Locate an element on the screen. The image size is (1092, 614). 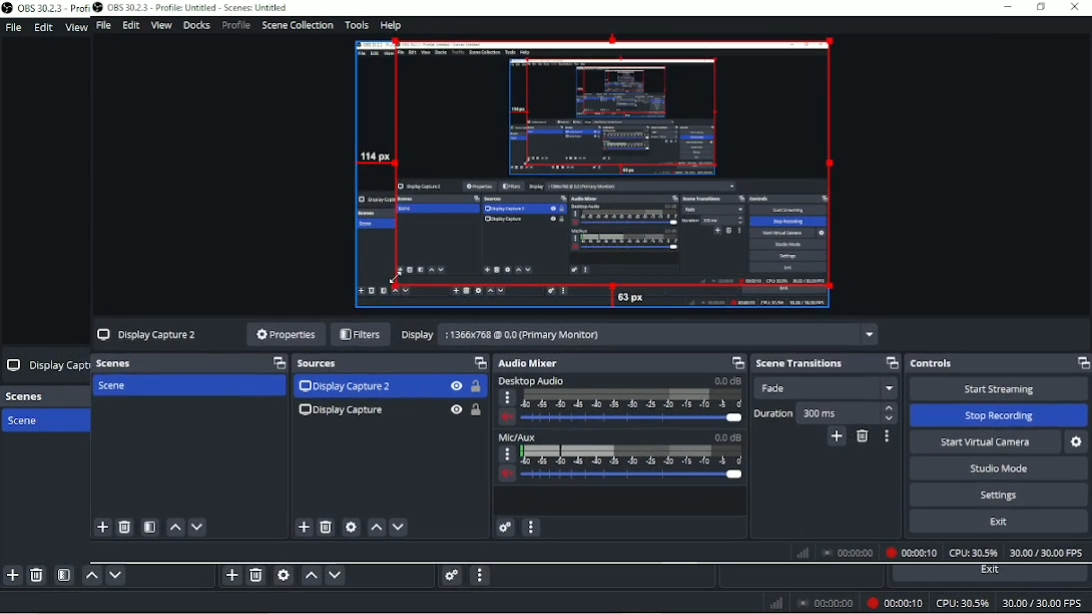
Advanced audio properties is located at coordinates (450, 577).